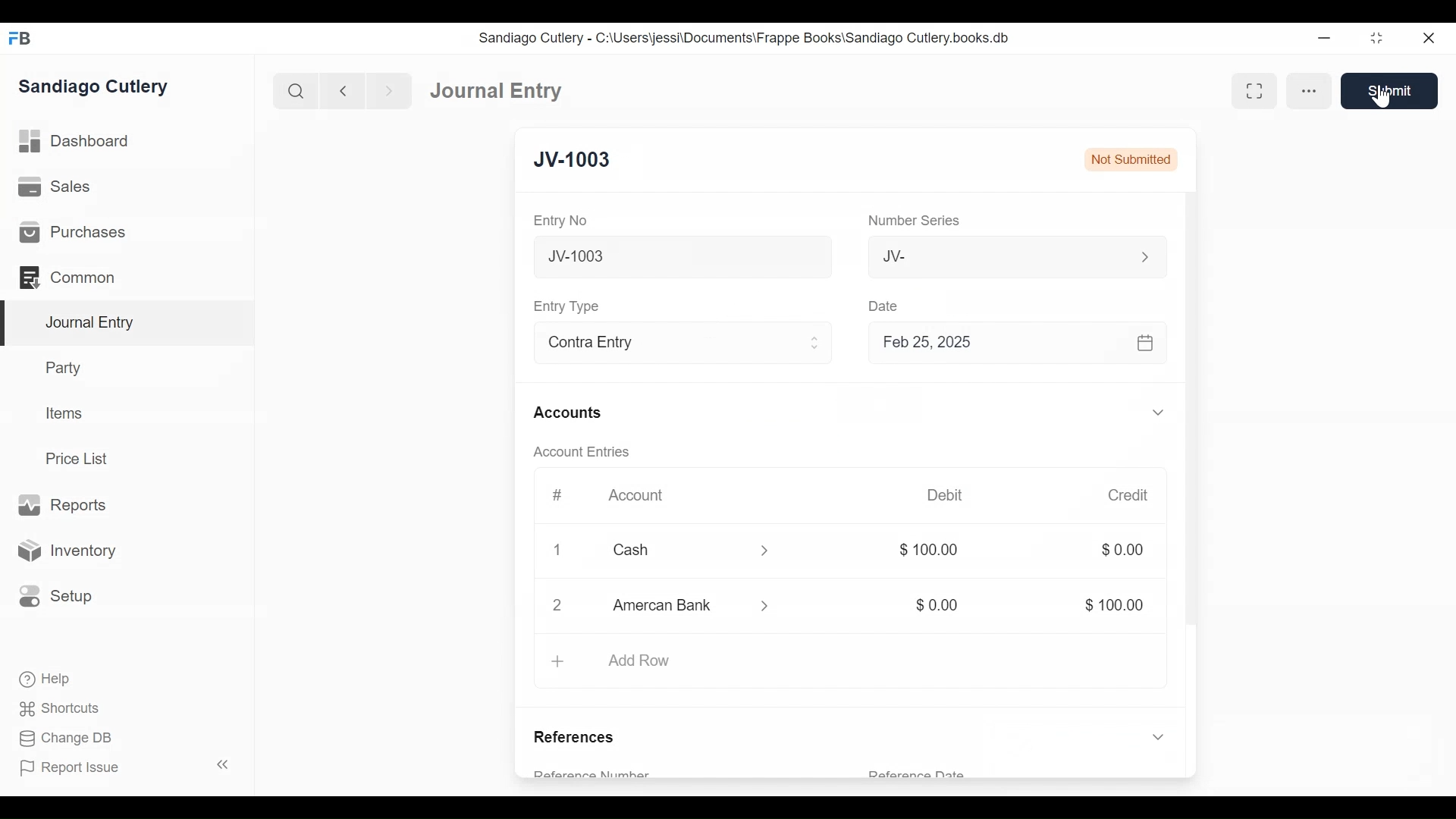 The image size is (1456, 819). What do you see at coordinates (647, 658) in the screenshot?
I see `Add Row` at bounding box center [647, 658].